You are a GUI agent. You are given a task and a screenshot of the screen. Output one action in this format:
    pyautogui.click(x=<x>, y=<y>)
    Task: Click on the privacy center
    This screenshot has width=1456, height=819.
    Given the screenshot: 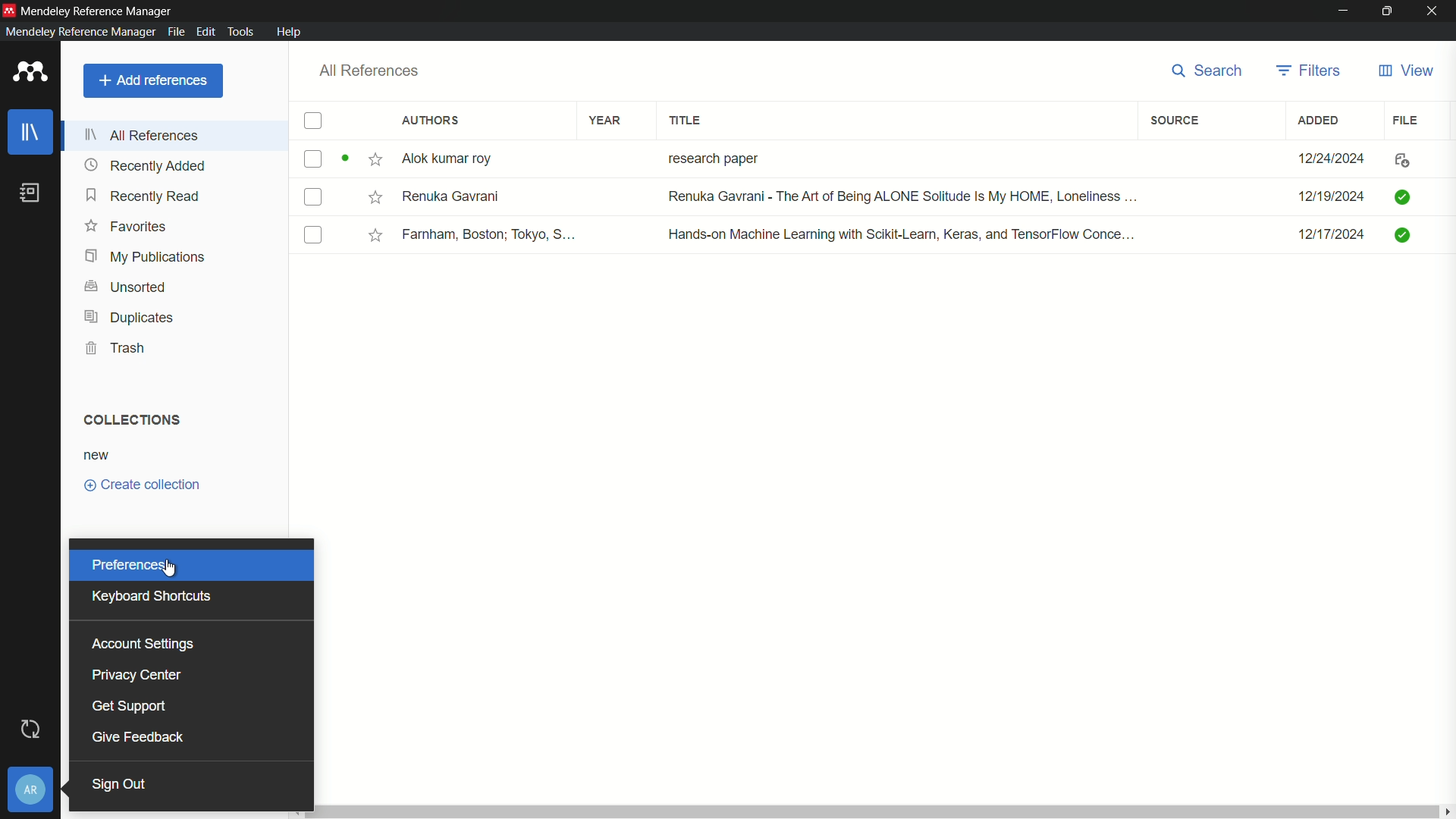 What is the action you would take?
    pyautogui.click(x=136, y=675)
    